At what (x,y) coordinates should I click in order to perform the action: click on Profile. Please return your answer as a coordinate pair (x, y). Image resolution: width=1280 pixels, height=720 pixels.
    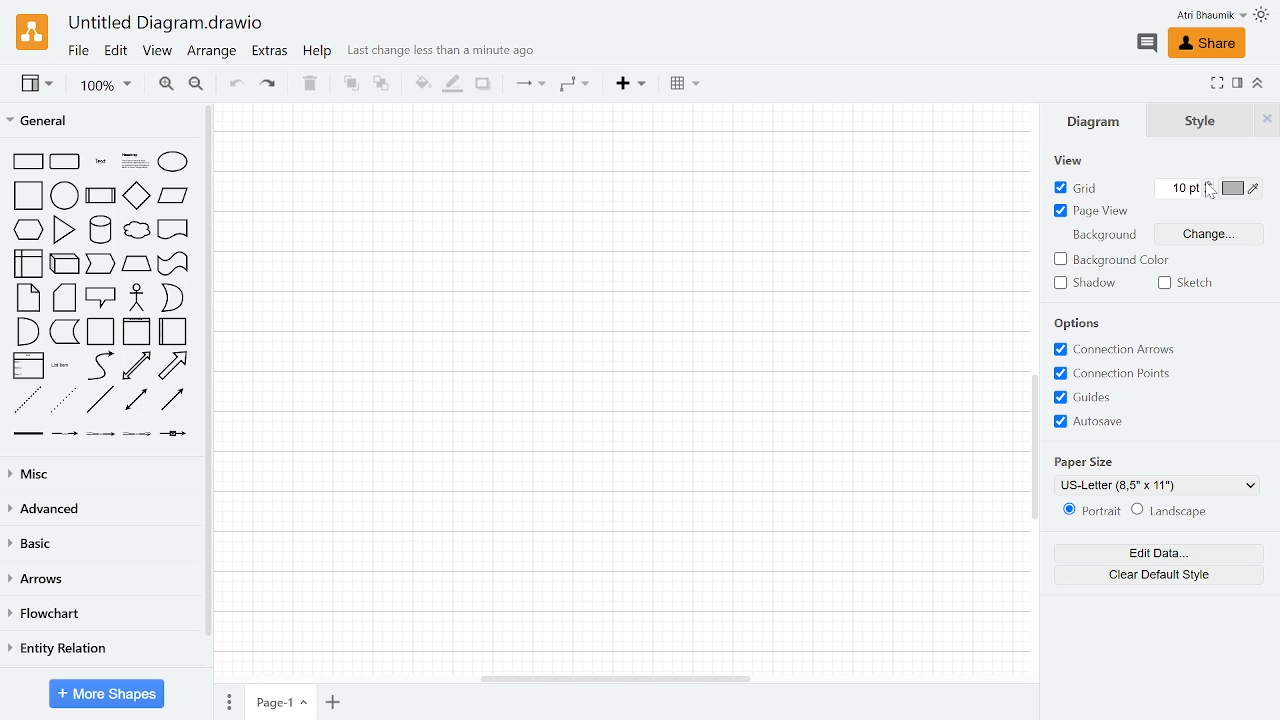
    Looking at the image, I should click on (1211, 15).